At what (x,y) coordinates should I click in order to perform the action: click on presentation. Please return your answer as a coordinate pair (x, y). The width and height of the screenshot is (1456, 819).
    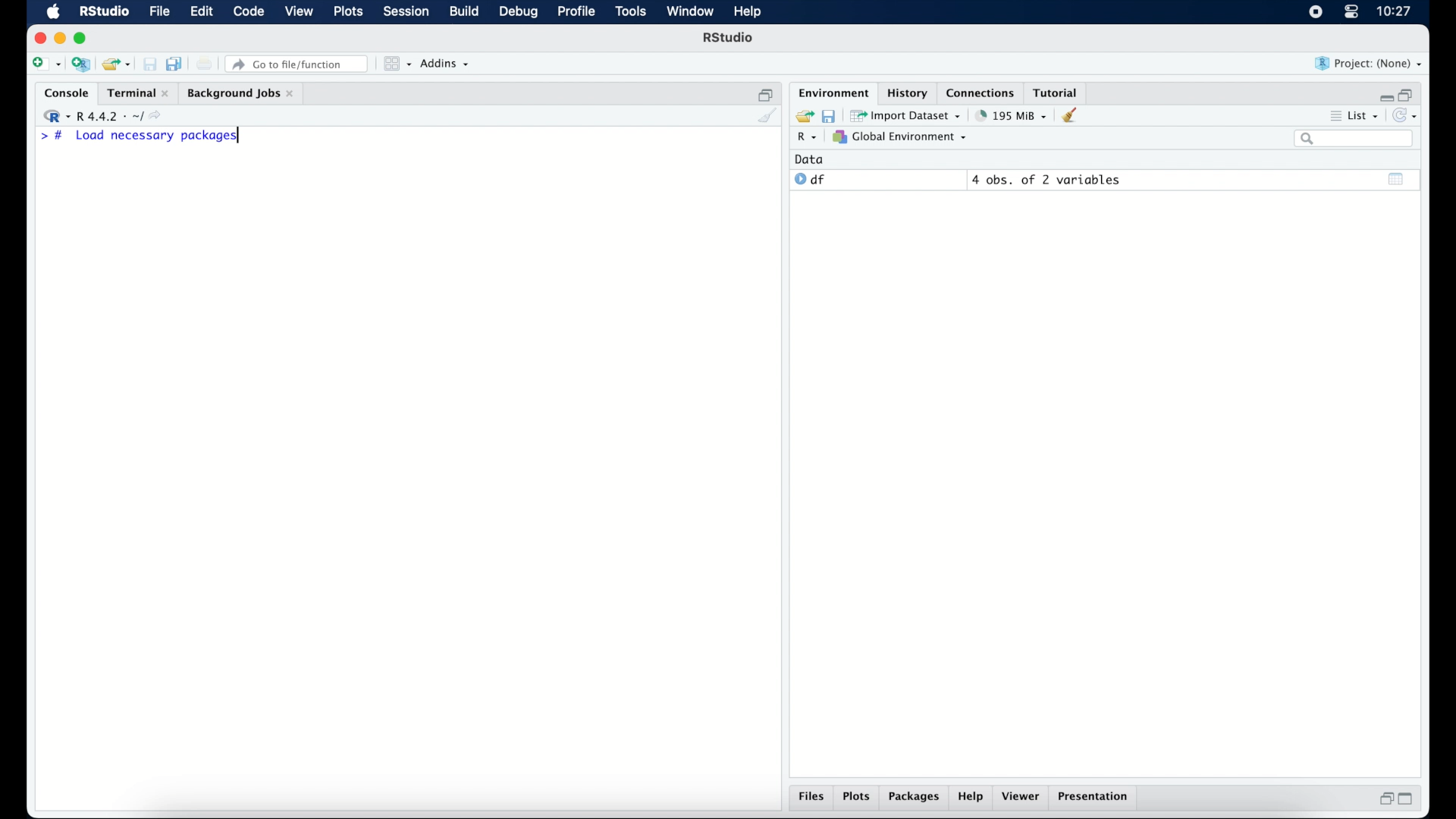
    Looking at the image, I should click on (1095, 798).